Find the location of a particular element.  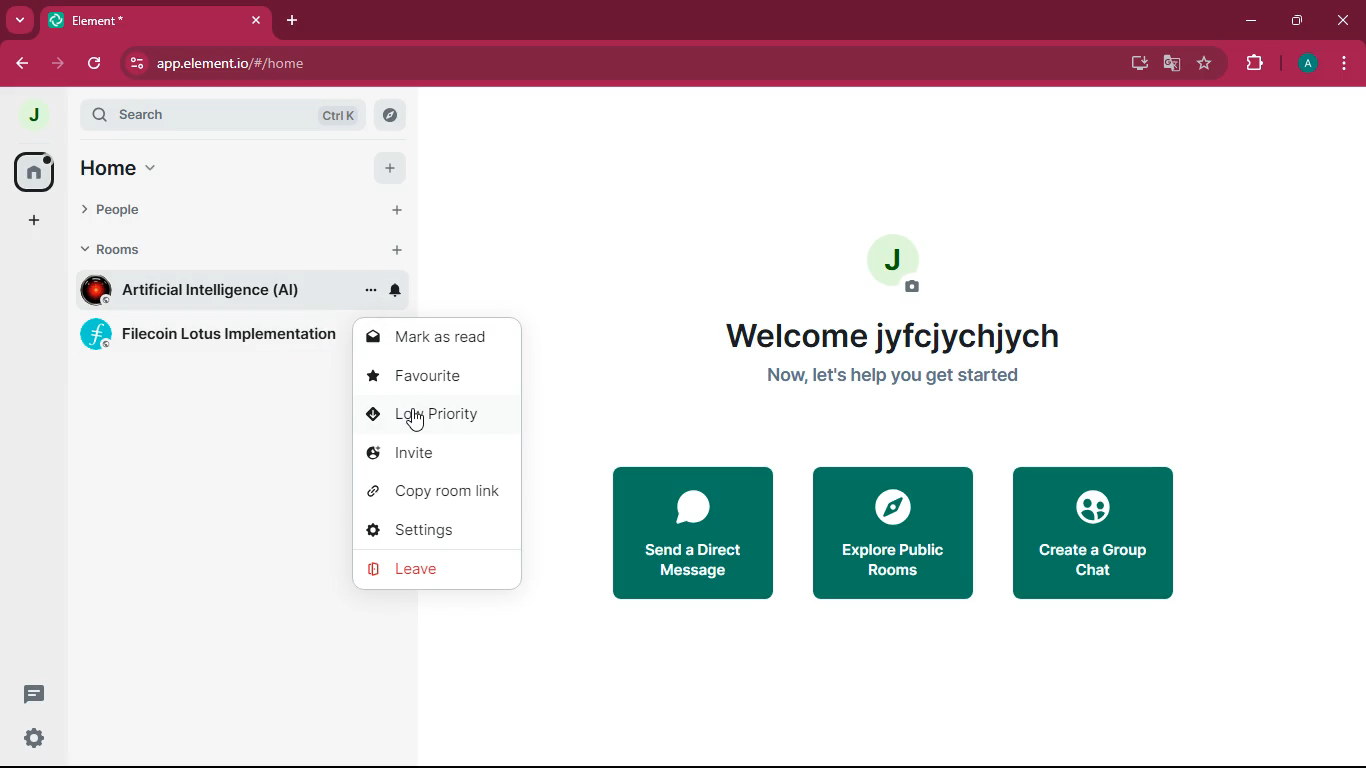

close is located at coordinates (1340, 18).